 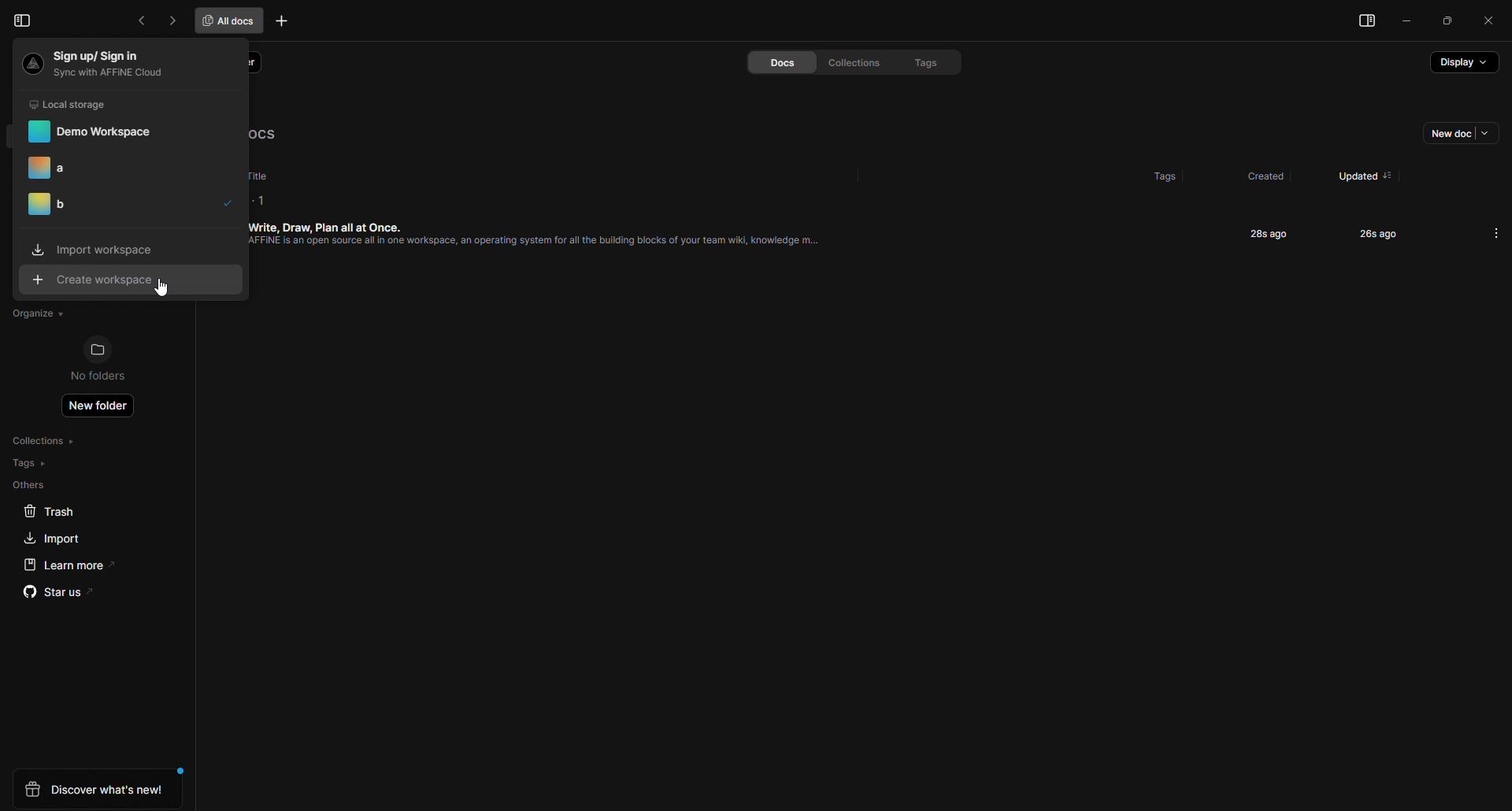 I want to click on view, so click(x=1362, y=23).